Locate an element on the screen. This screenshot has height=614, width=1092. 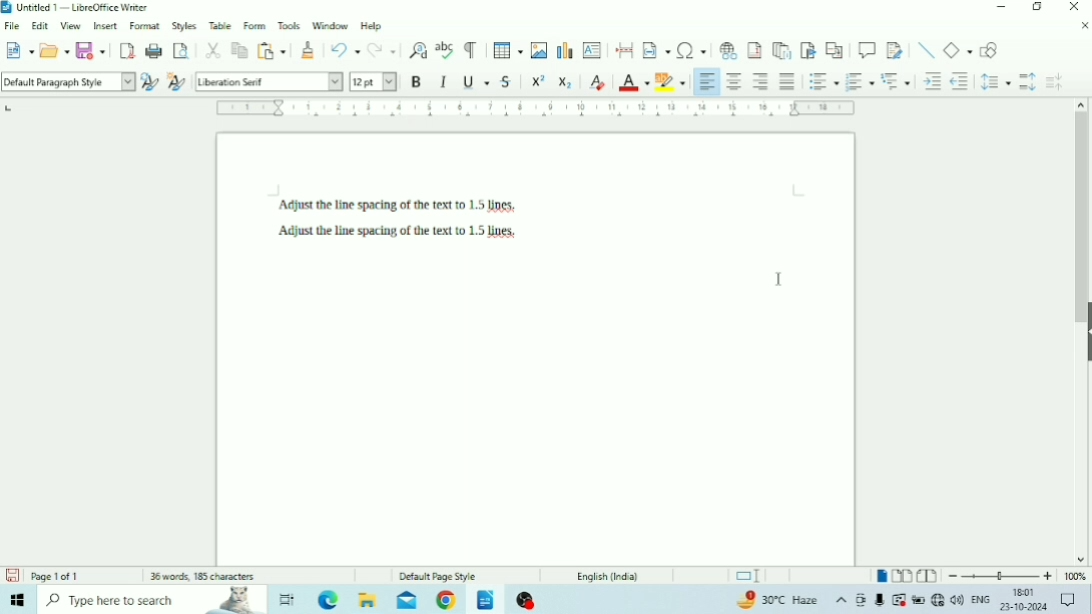
Text Unselected is located at coordinates (401, 221).